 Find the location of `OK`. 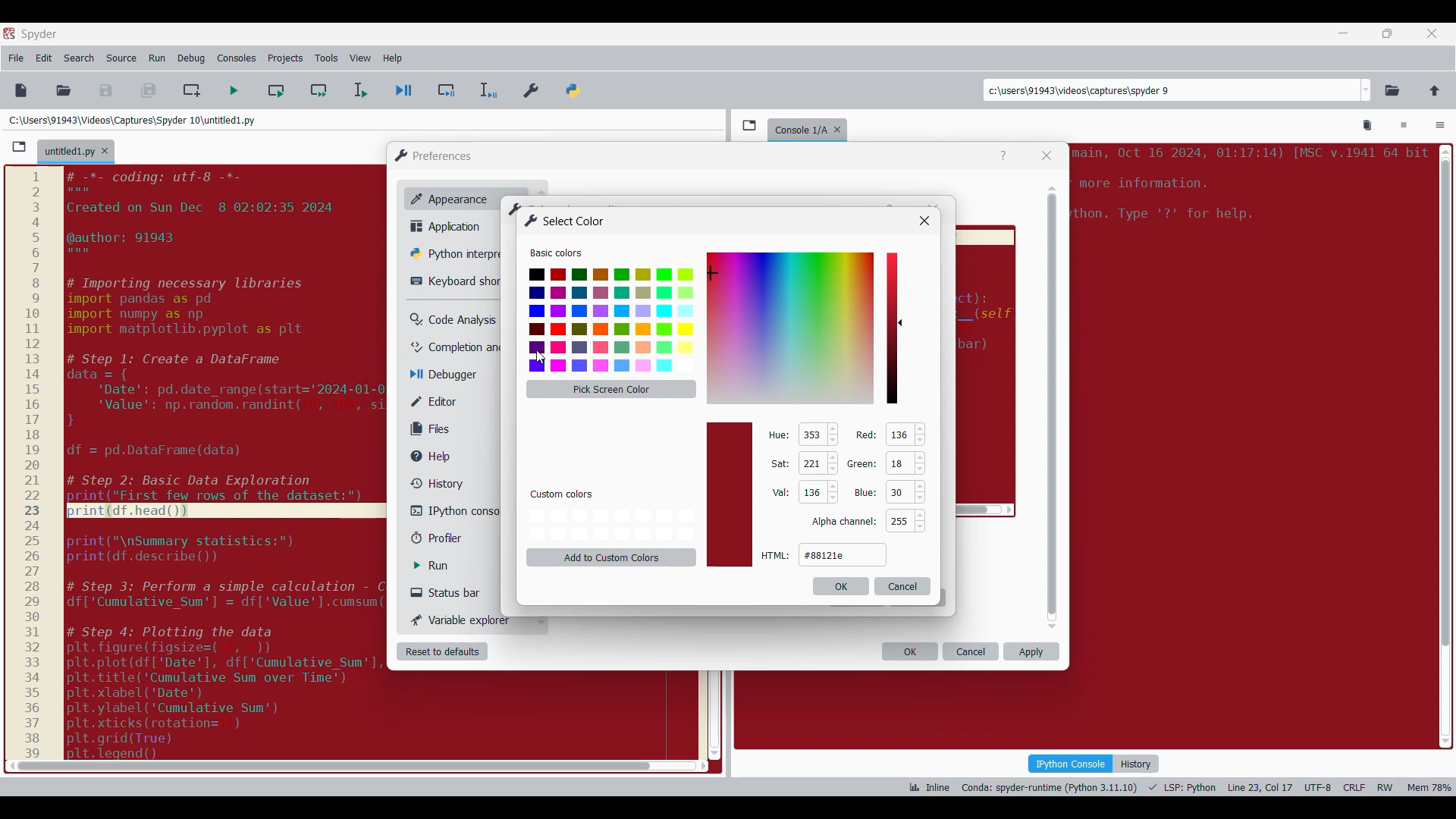

OK is located at coordinates (910, 651).